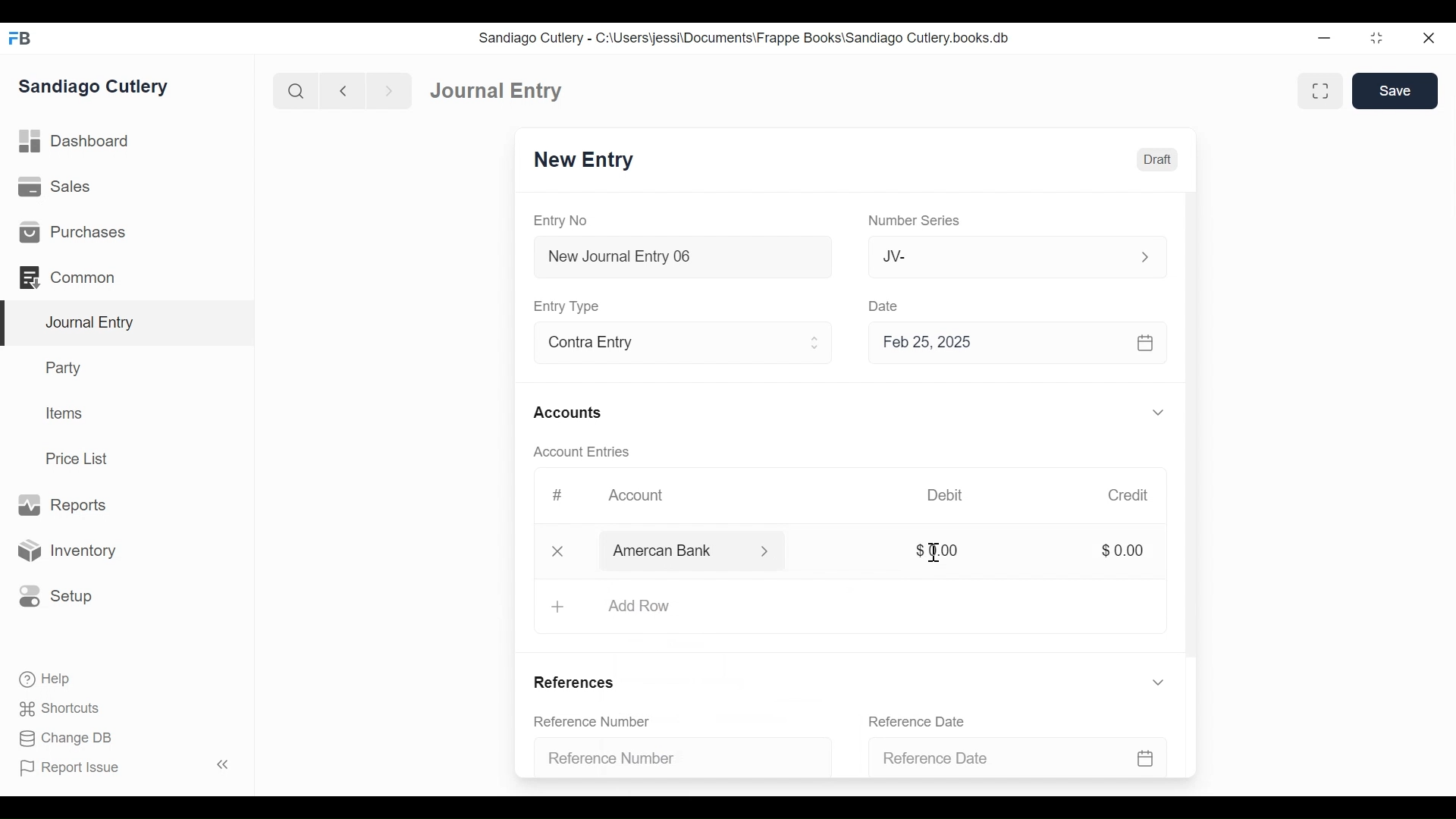 This screenshot has width=1456, height=819. Describe the element at coordinates (945, 495) in the screenshot. I see `Debit` at that location.